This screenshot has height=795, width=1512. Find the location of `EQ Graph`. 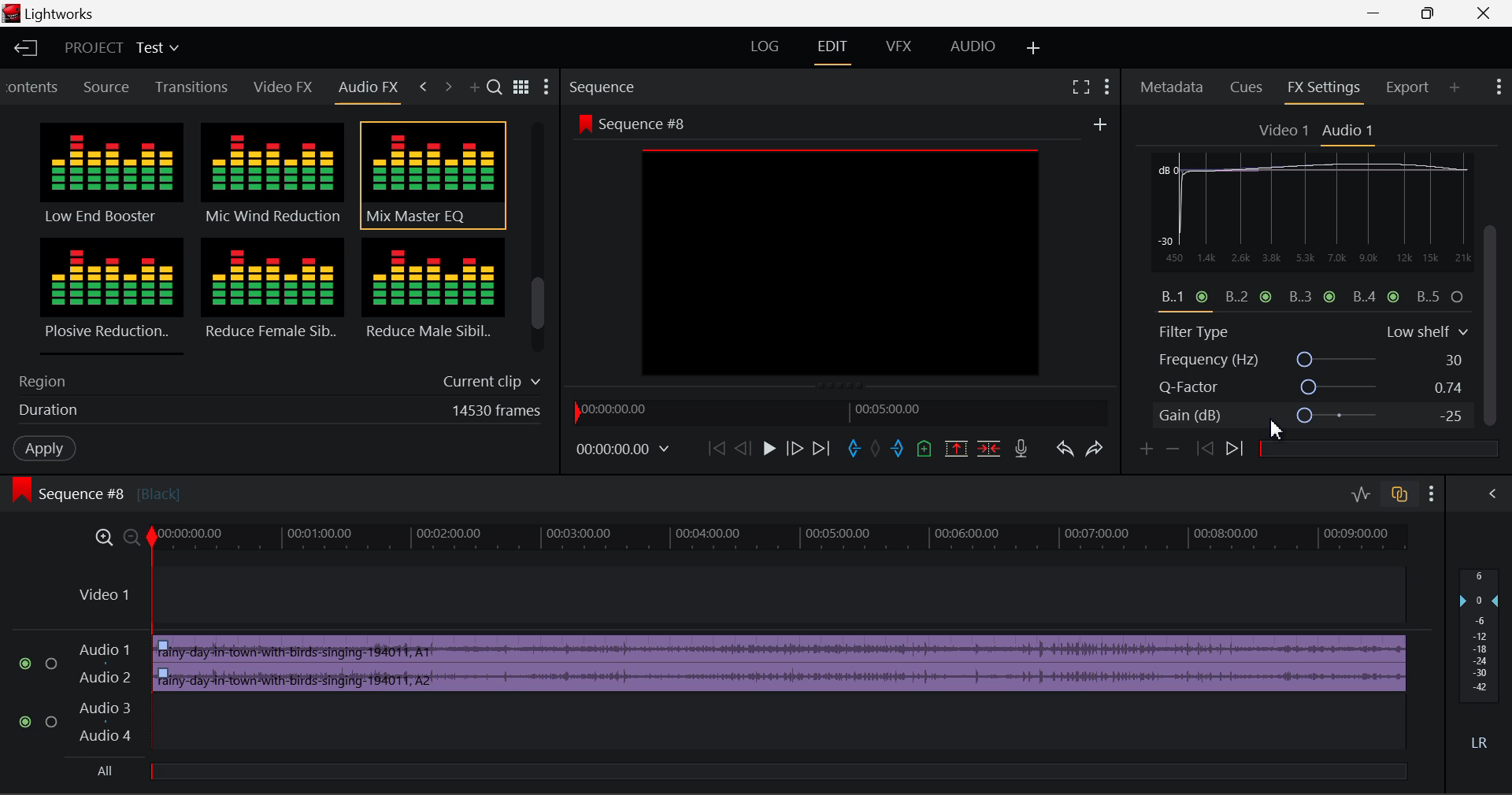

EQ Graph is located at coordinates (1303, 229).